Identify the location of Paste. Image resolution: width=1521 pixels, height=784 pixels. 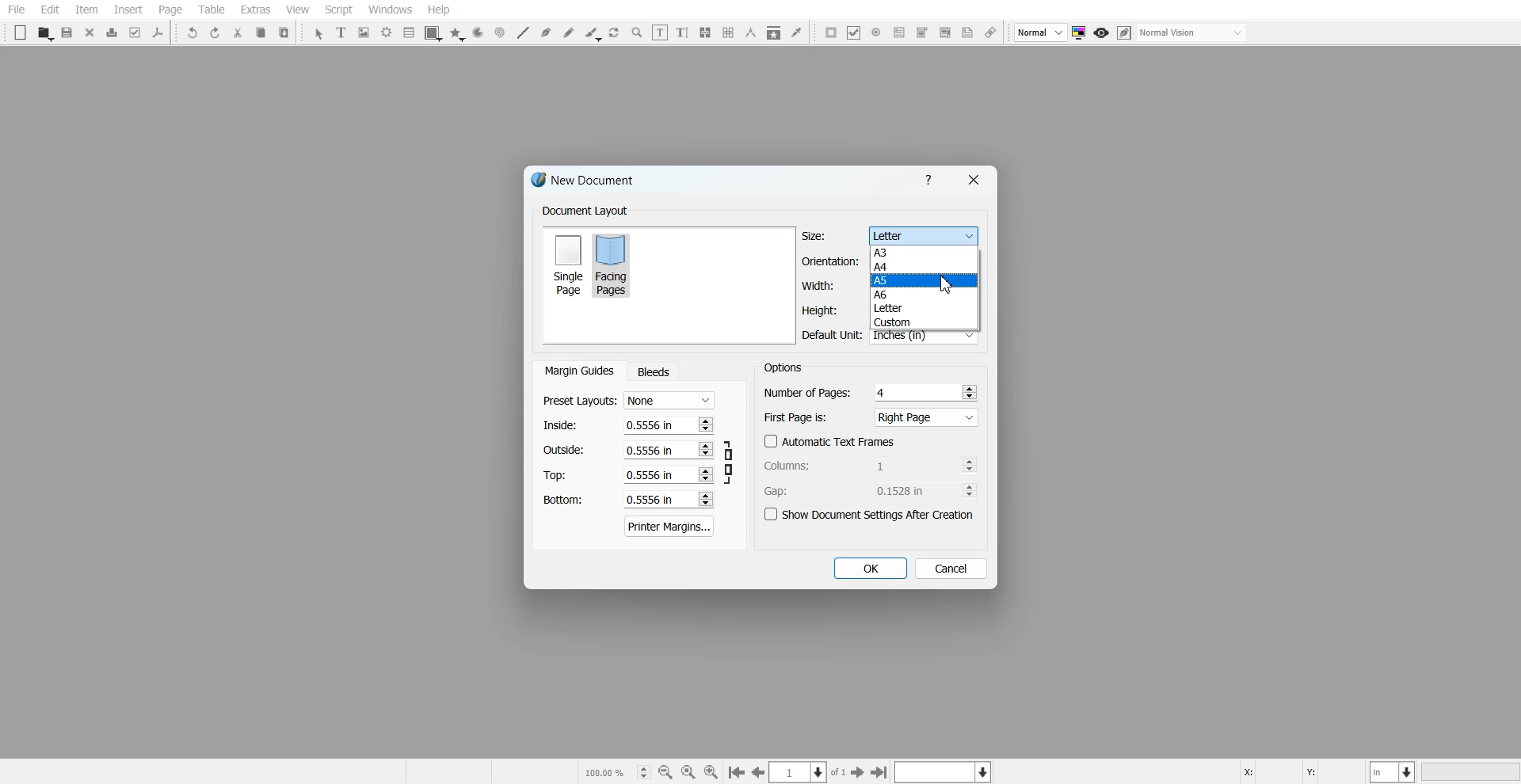
(284, 32).